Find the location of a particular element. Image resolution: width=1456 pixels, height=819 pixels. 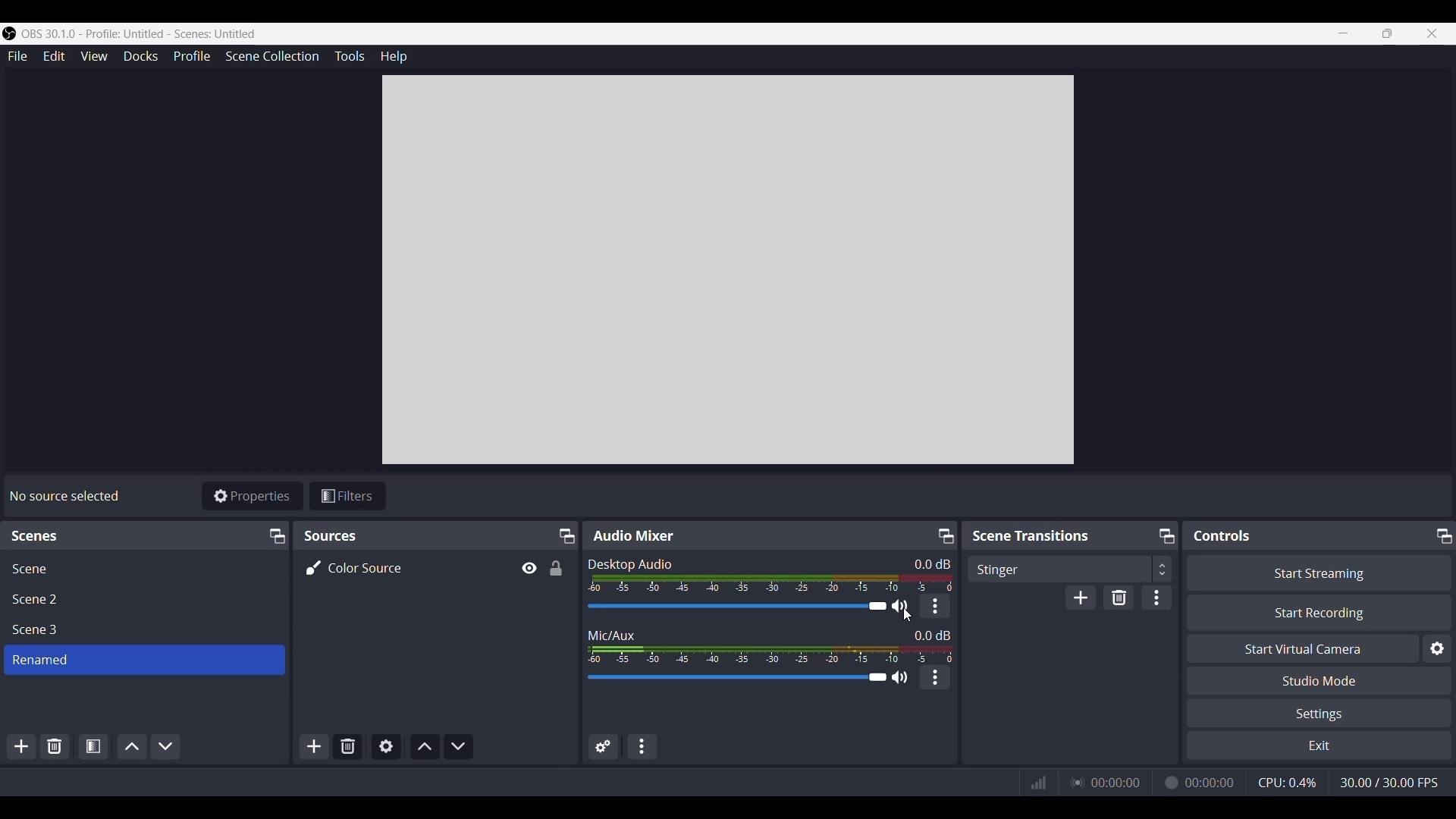

Mute/Unmute desktop audio is located at coordinates (901, 606).